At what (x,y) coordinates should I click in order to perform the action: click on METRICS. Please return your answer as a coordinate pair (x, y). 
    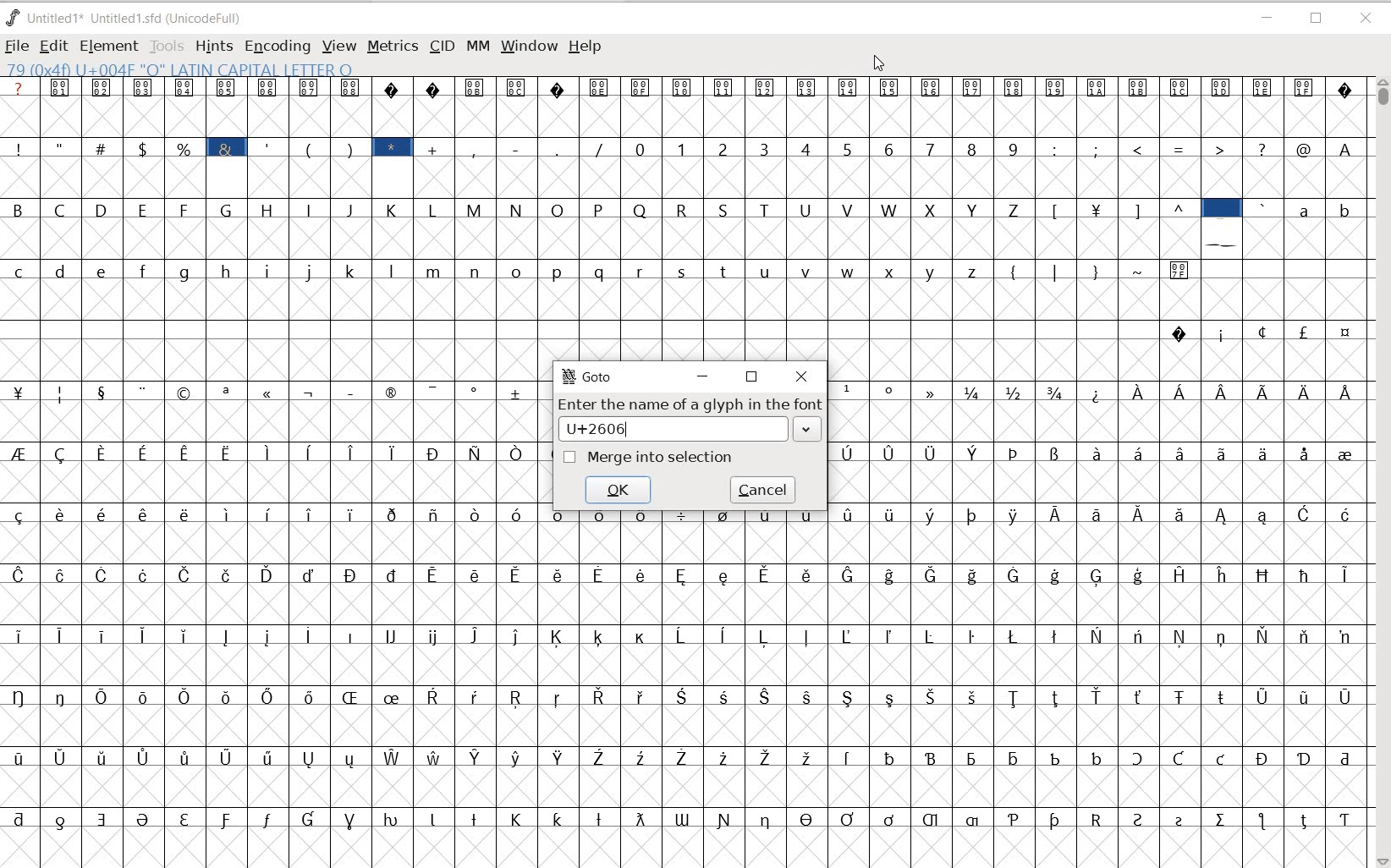
    Looking at the image, I should click on (392, 46).